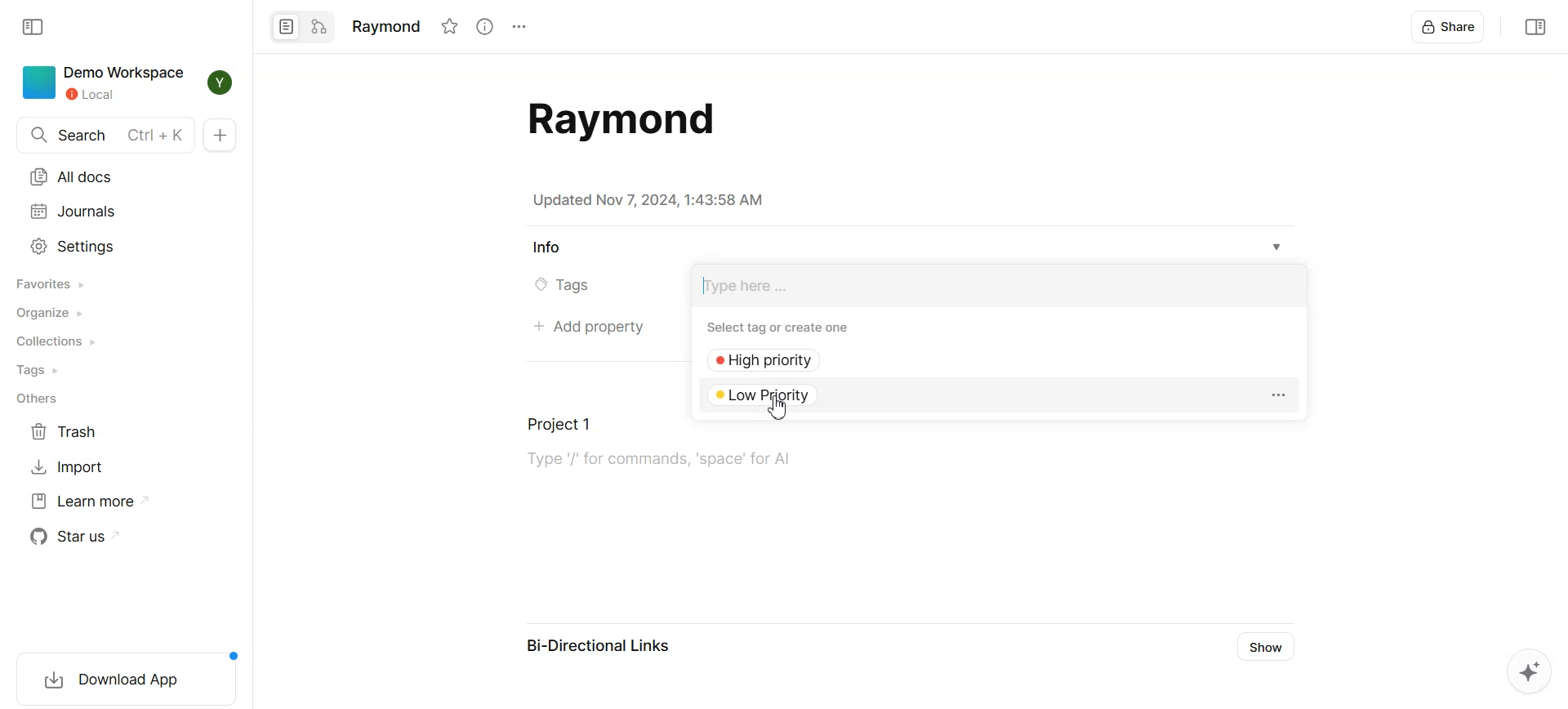 This screenshot has width=1568, height=709. Describe the element at coordinates (79, 536) in the screenshot. I see `Star us` at that location.